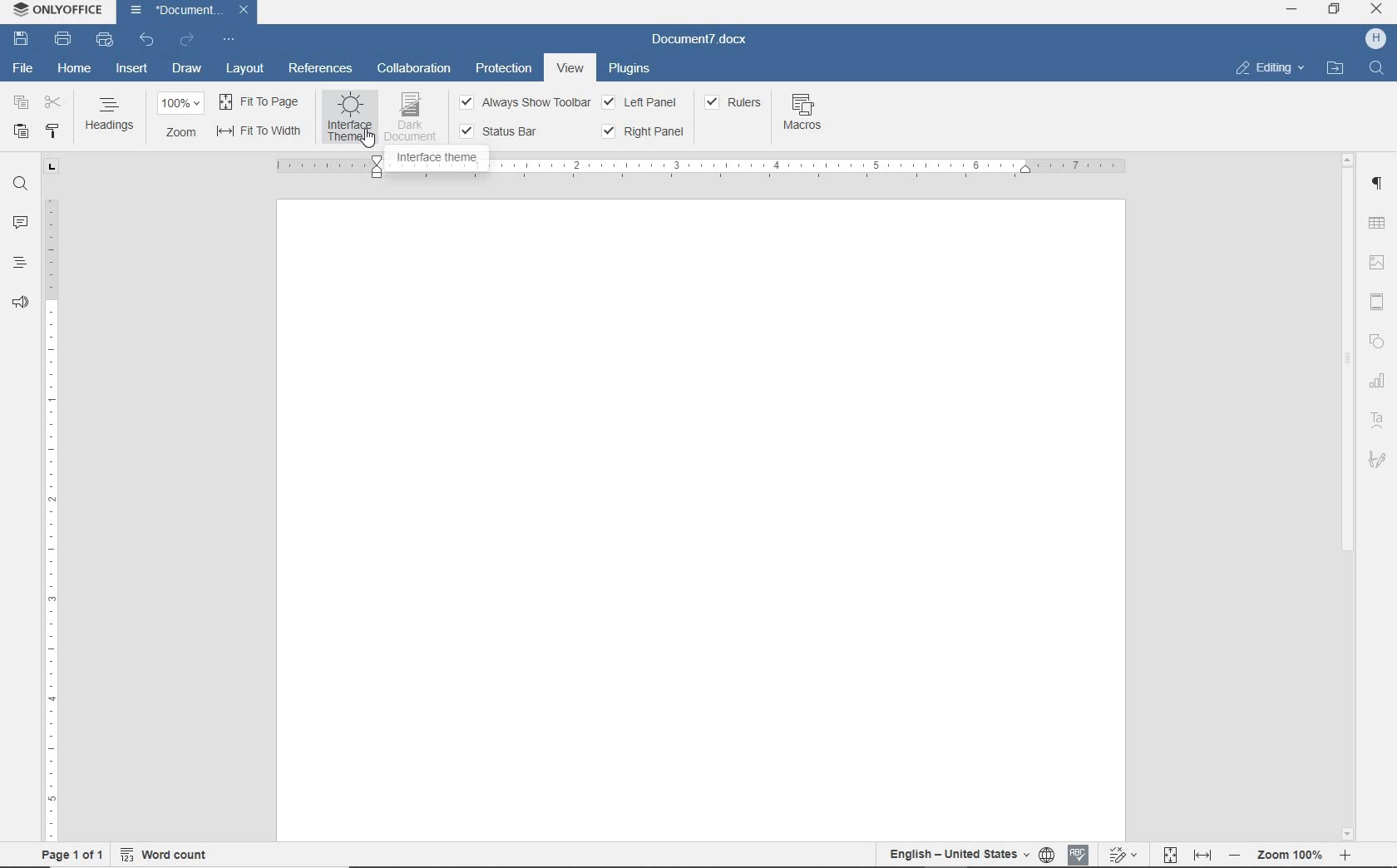 The width and height of the screenshot is (1397, 868). What do you see at coordinates (699, 38) in the screenshot?
I see `DOCUMENT NAME` at bounding box center [699, 38].